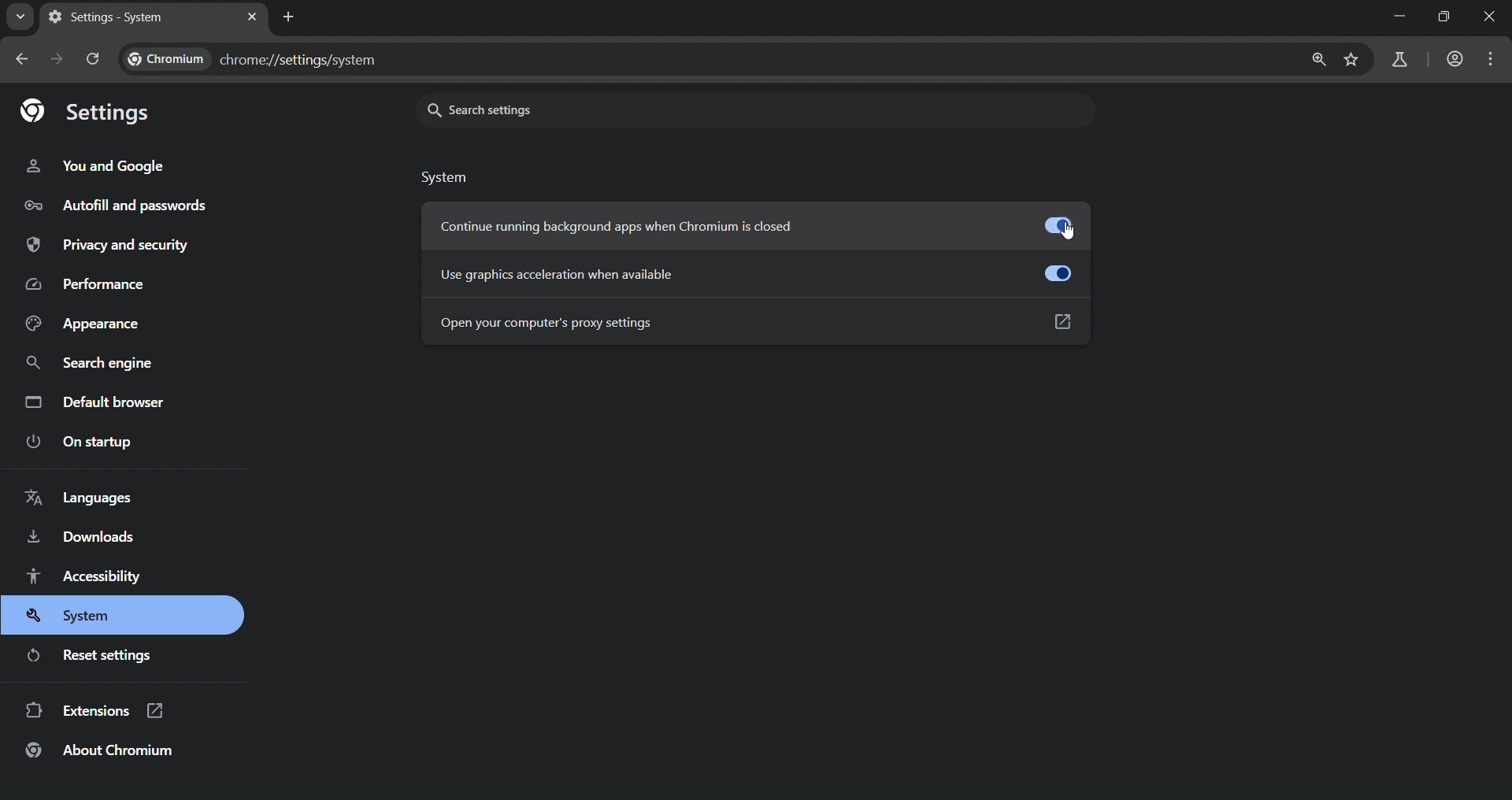 Image resolution: width=1512 pixels, height=800 pixels. Describe the element at coordinates (102, 167) in the screenshot. I see `you and google` at that location.